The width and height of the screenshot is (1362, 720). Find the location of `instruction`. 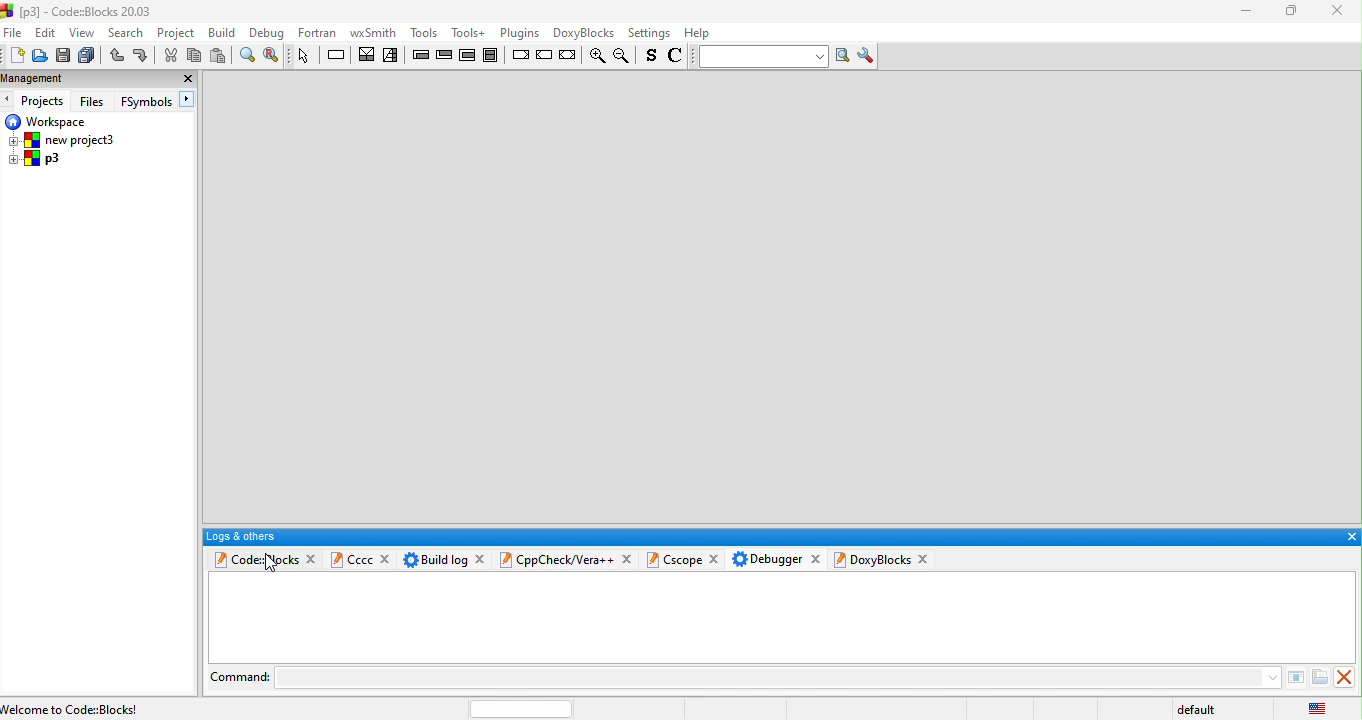

instruction is located at coordinates (338, 55).